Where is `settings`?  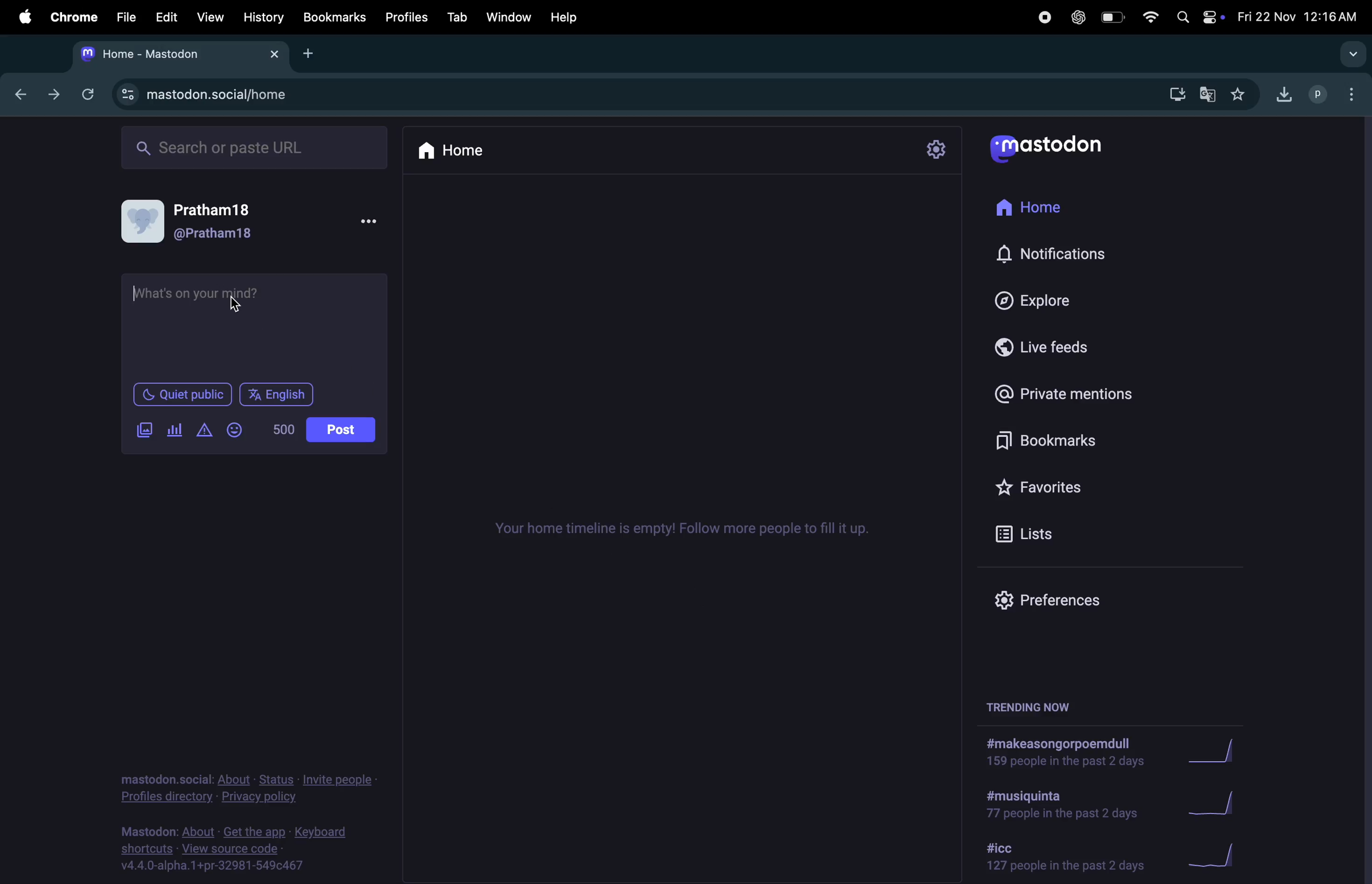
settings is located at coordinates (936, 147).